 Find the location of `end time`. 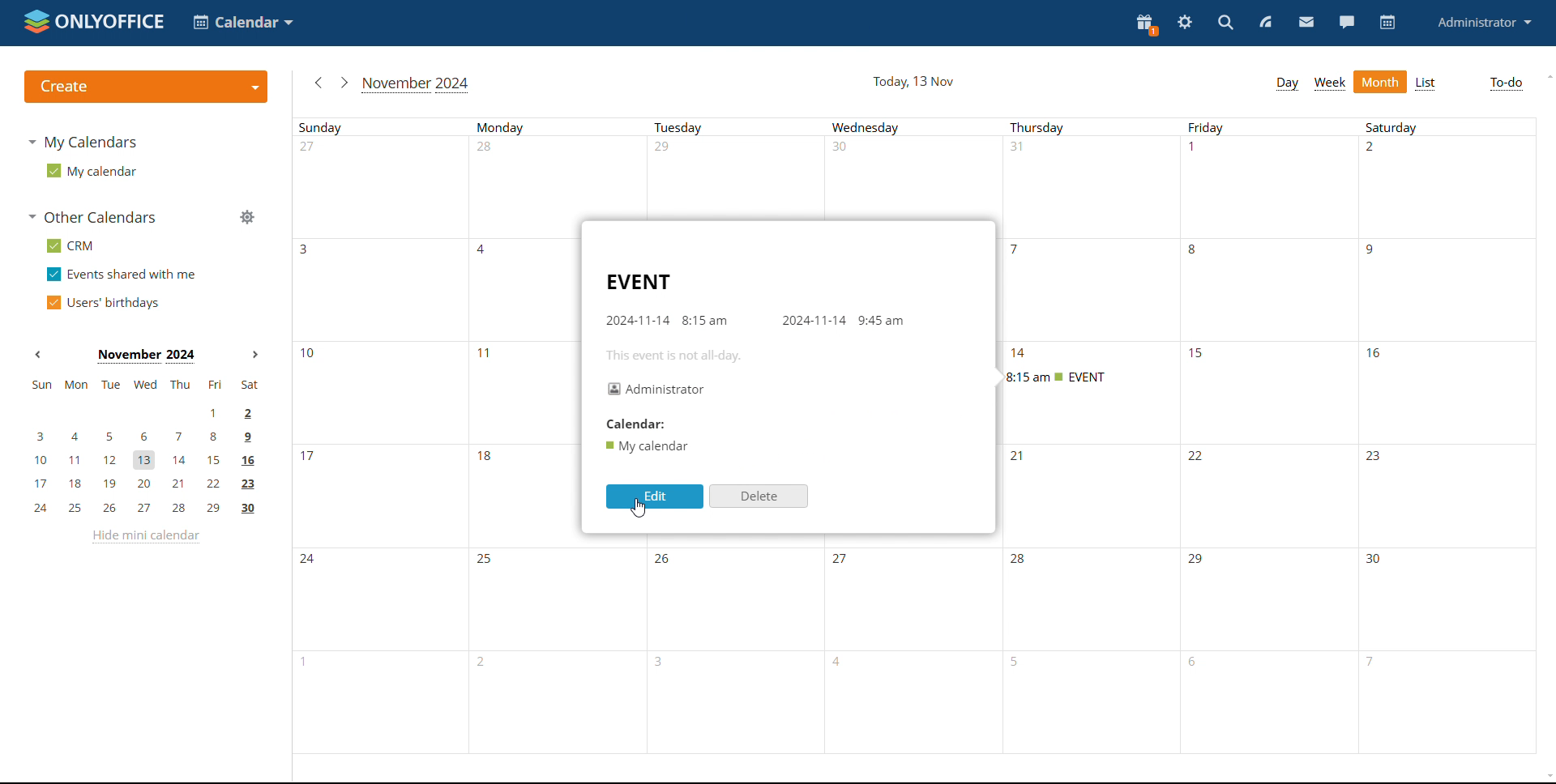

end time is located at coordinates (880, 318).